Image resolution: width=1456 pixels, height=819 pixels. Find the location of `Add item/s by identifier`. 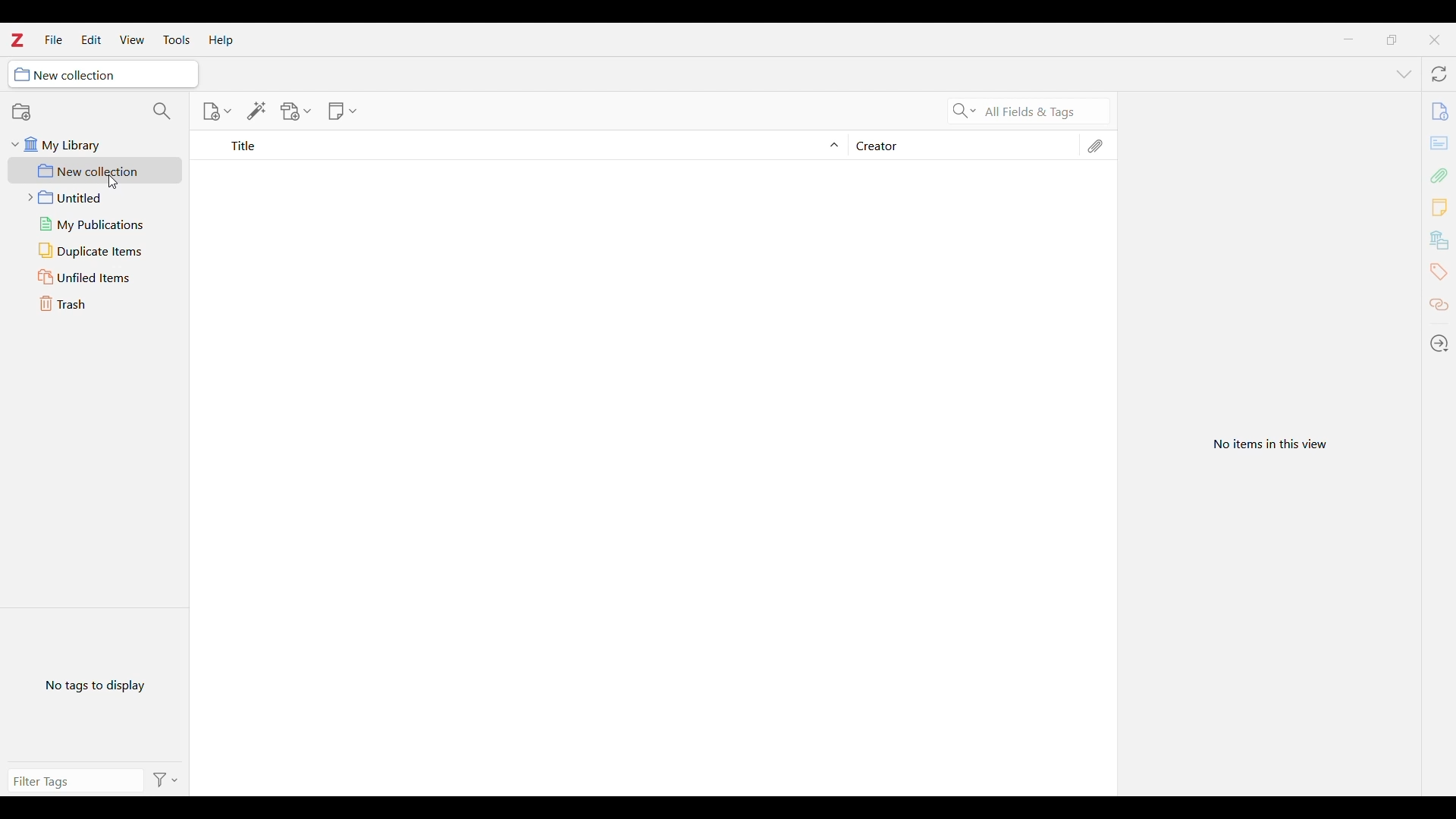

Add item/s by identifier is located at coordinates (257, 111).